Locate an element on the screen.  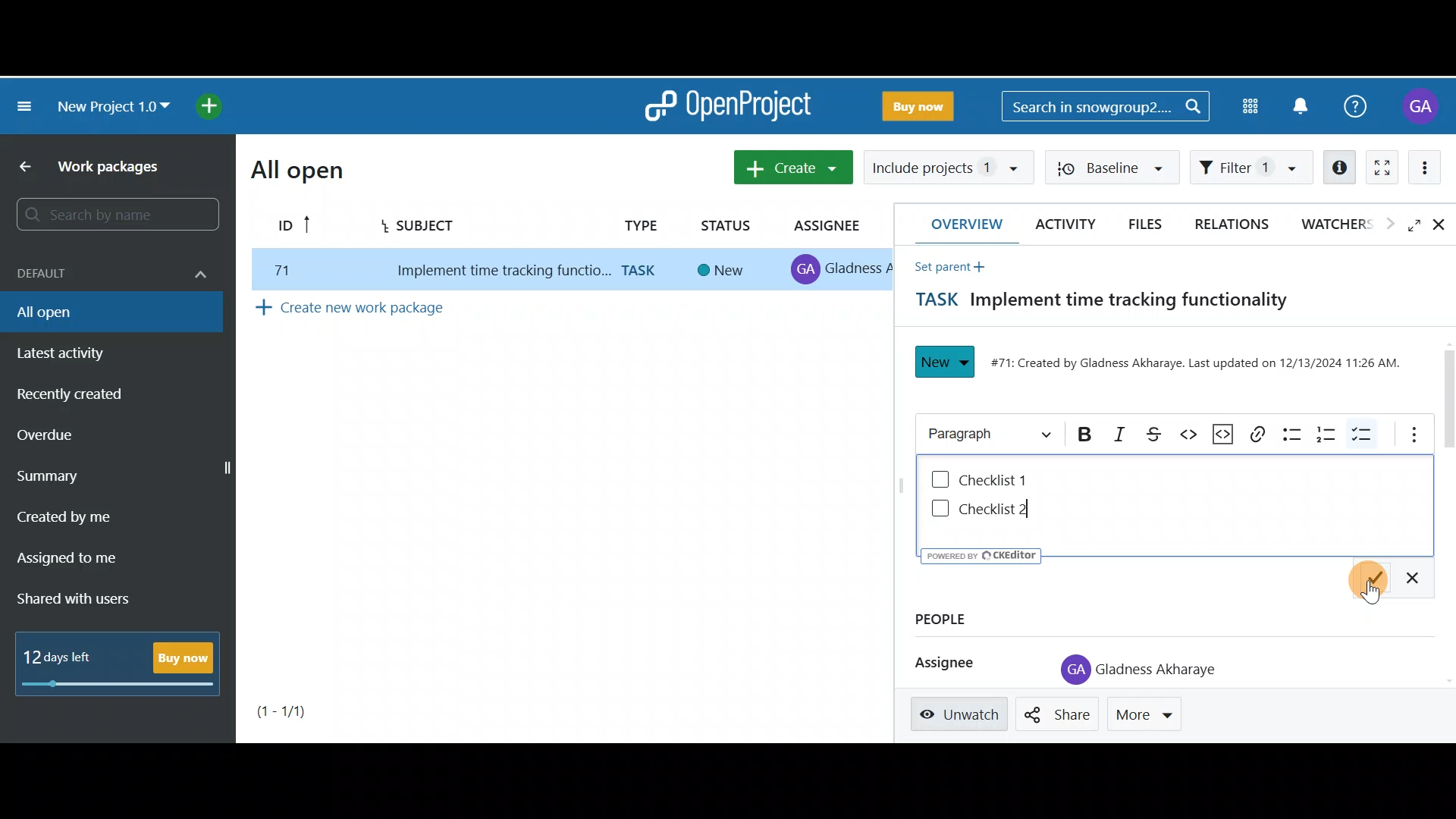
Created by me is located at coordinates (85, 511).